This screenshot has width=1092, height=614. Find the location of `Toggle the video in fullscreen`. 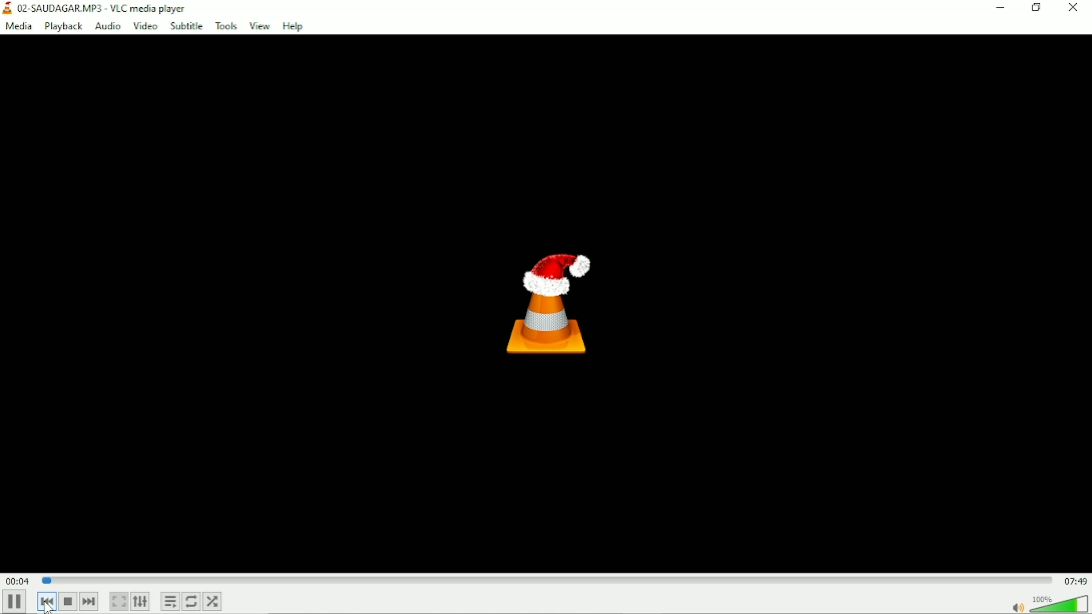

Toggle the video in fullscreen is located at coordinates (119, 601).